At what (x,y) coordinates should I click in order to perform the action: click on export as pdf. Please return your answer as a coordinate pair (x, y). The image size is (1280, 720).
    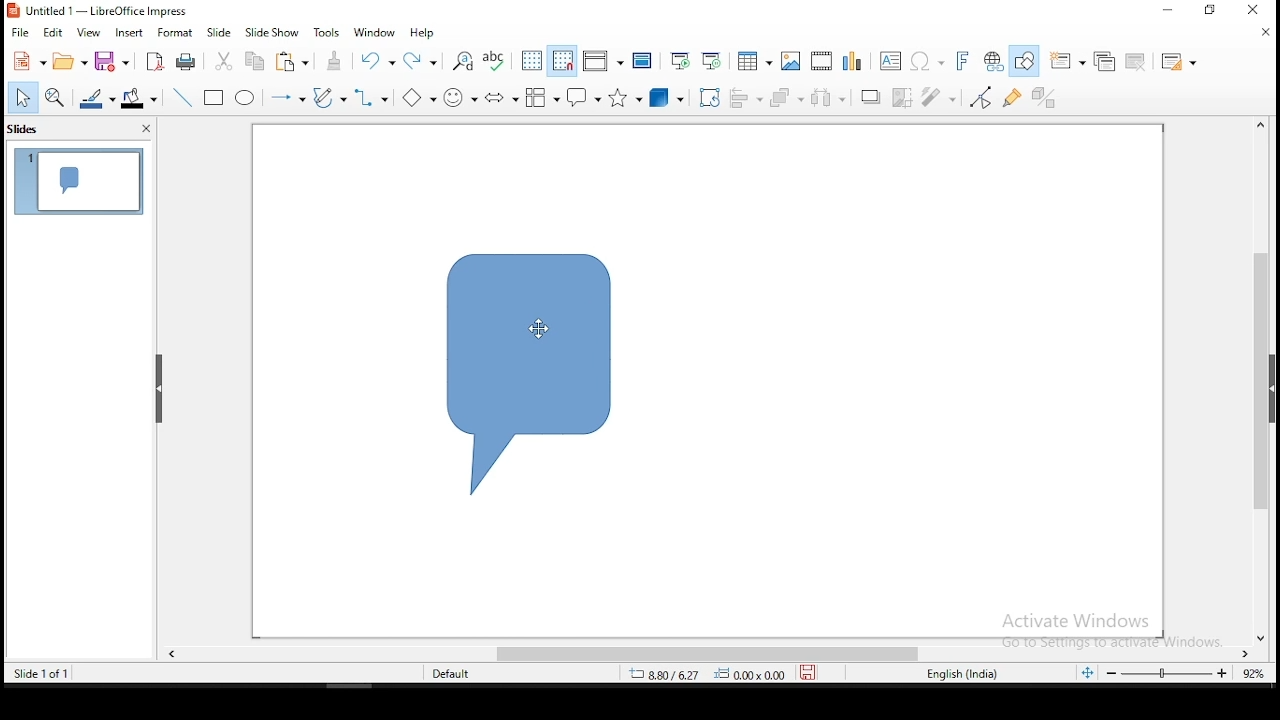
    Looking at the image, I should click on (154, 62).